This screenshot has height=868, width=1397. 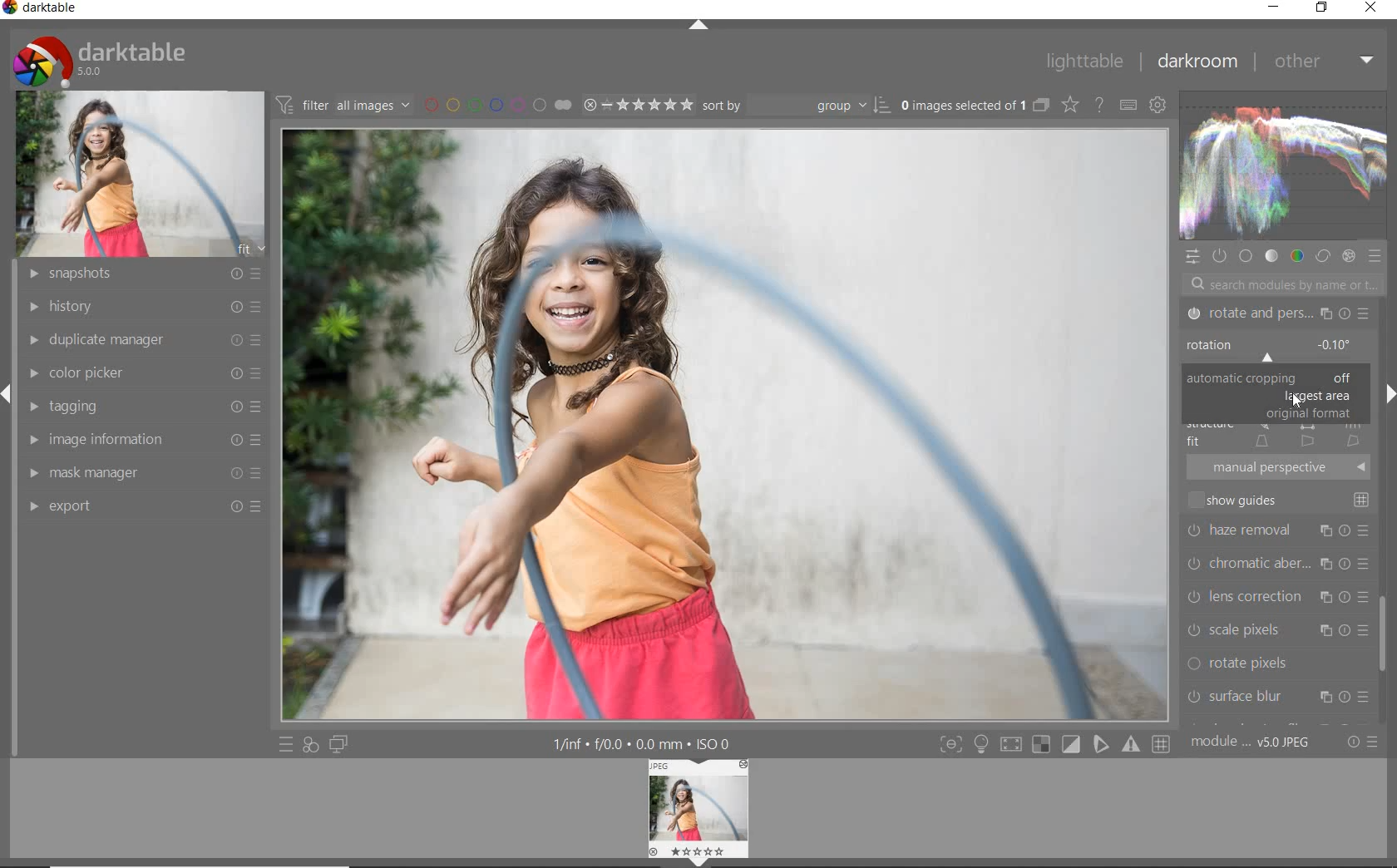 What do you see at coordinates (797, 104) in the screenshot?
I see `sort` at bounding box center [797, 104].